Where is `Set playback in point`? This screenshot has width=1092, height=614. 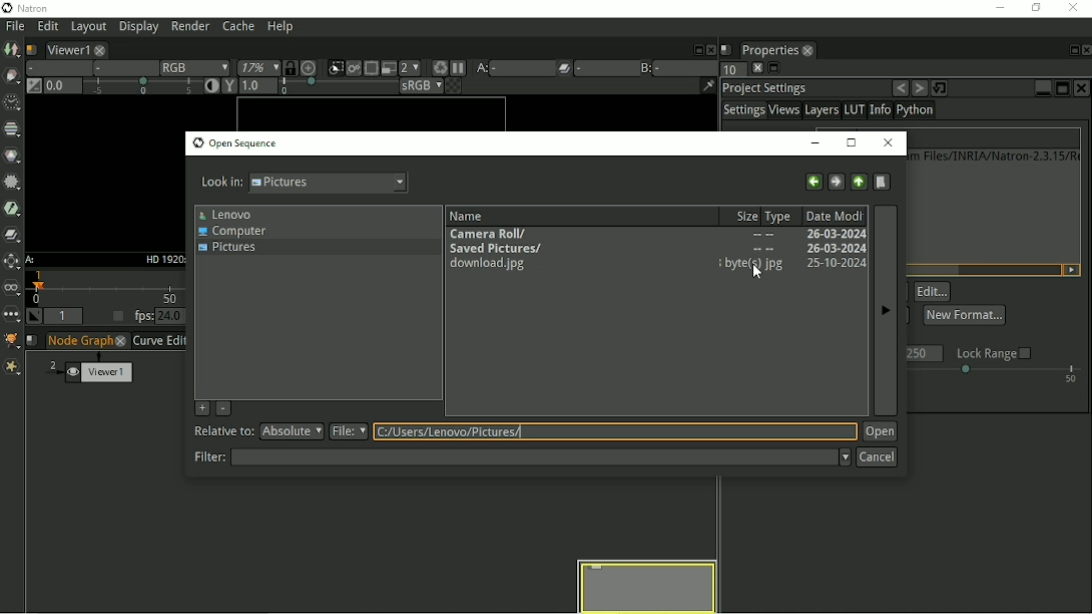
Set playback in point is located at coordinates (35, 317).